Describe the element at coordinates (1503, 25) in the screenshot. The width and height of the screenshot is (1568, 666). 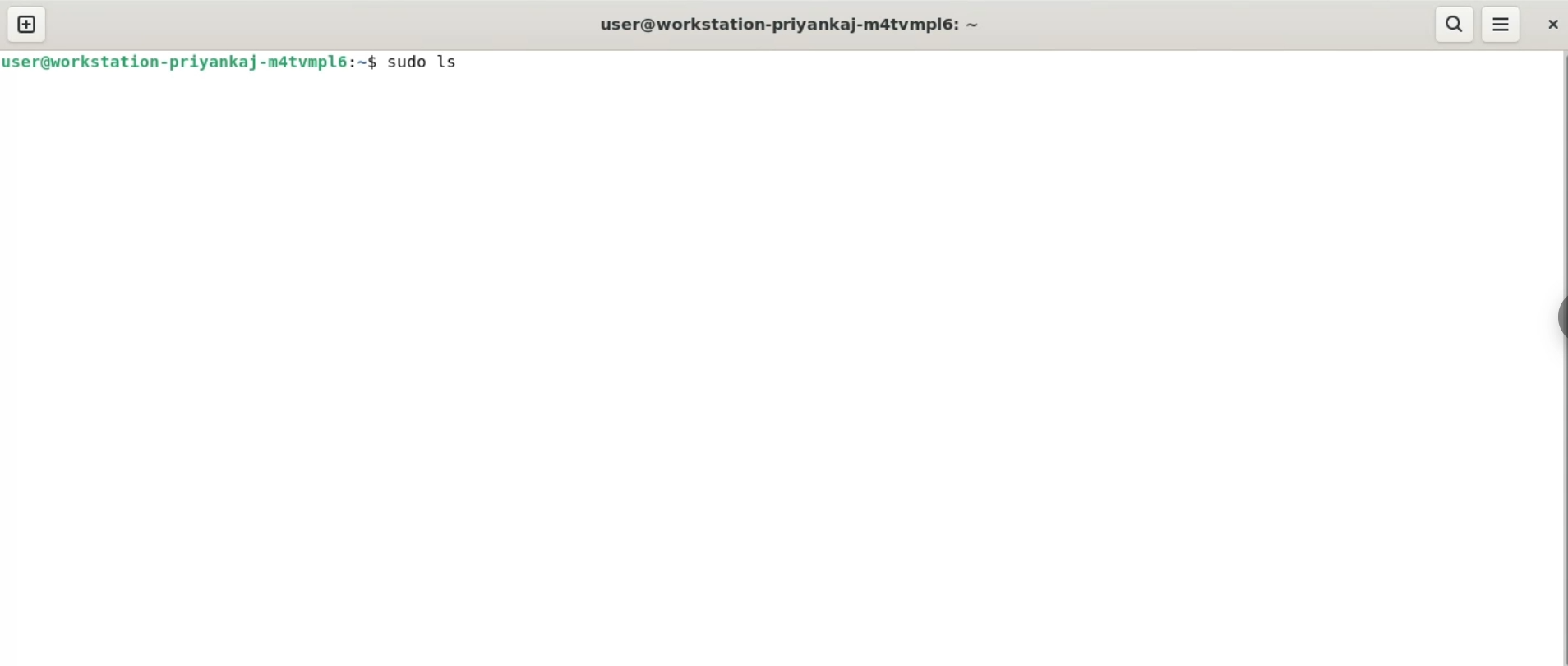
I see `menu` at that location.